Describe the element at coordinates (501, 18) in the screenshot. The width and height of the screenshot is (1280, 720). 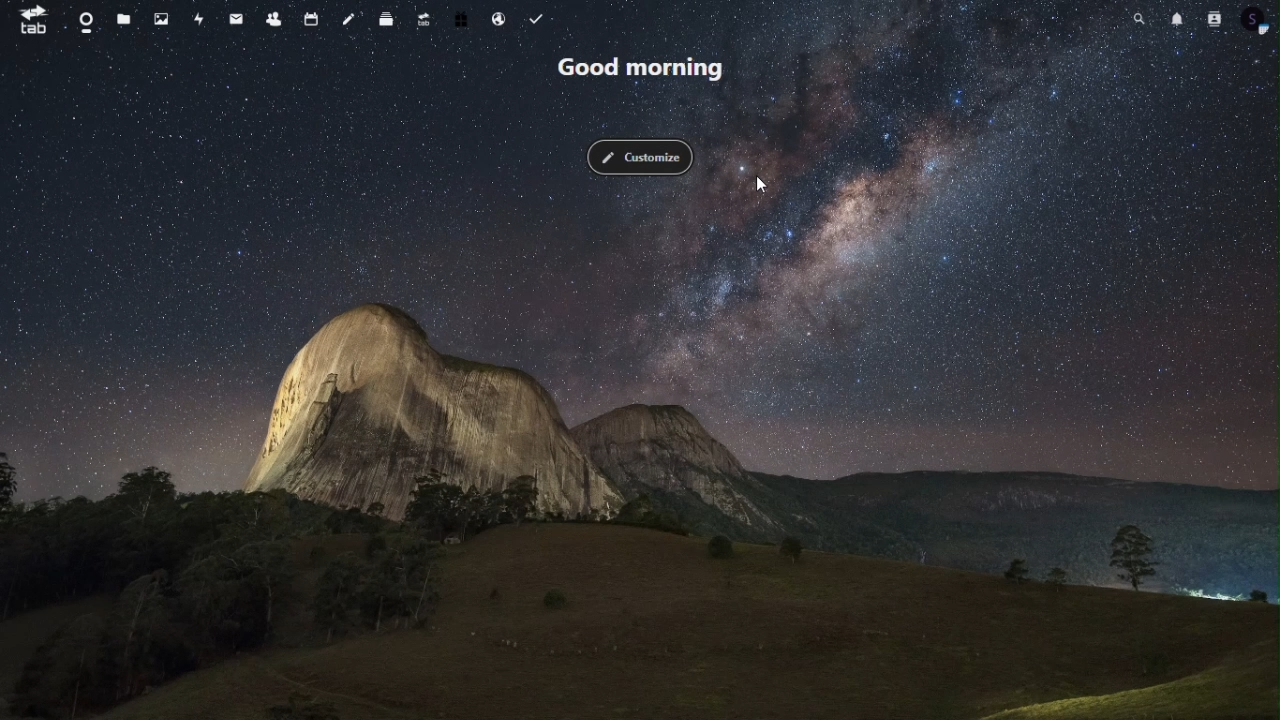
I see `email hosting` at that location.